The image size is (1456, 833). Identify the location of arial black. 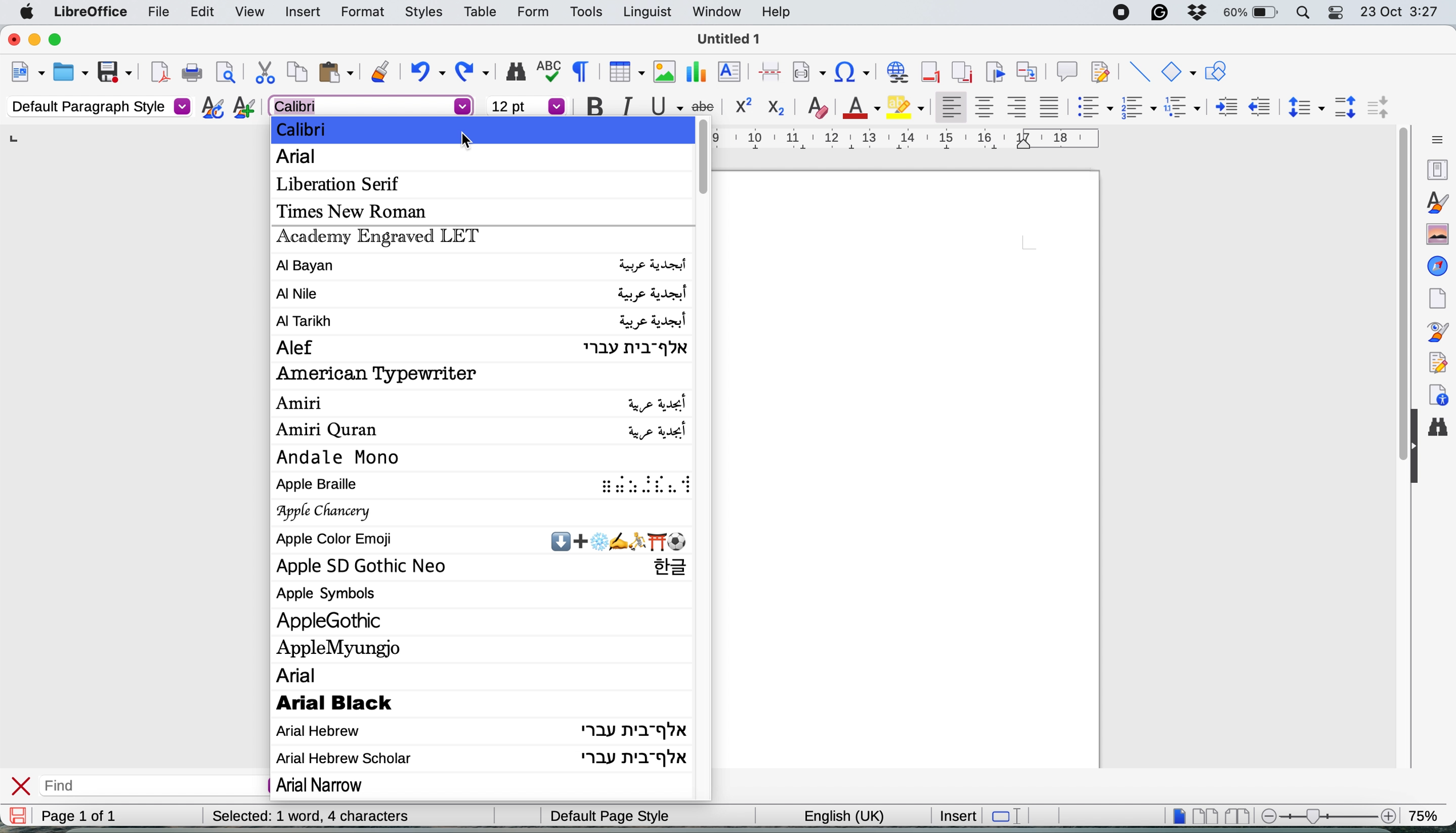
(359, 703).